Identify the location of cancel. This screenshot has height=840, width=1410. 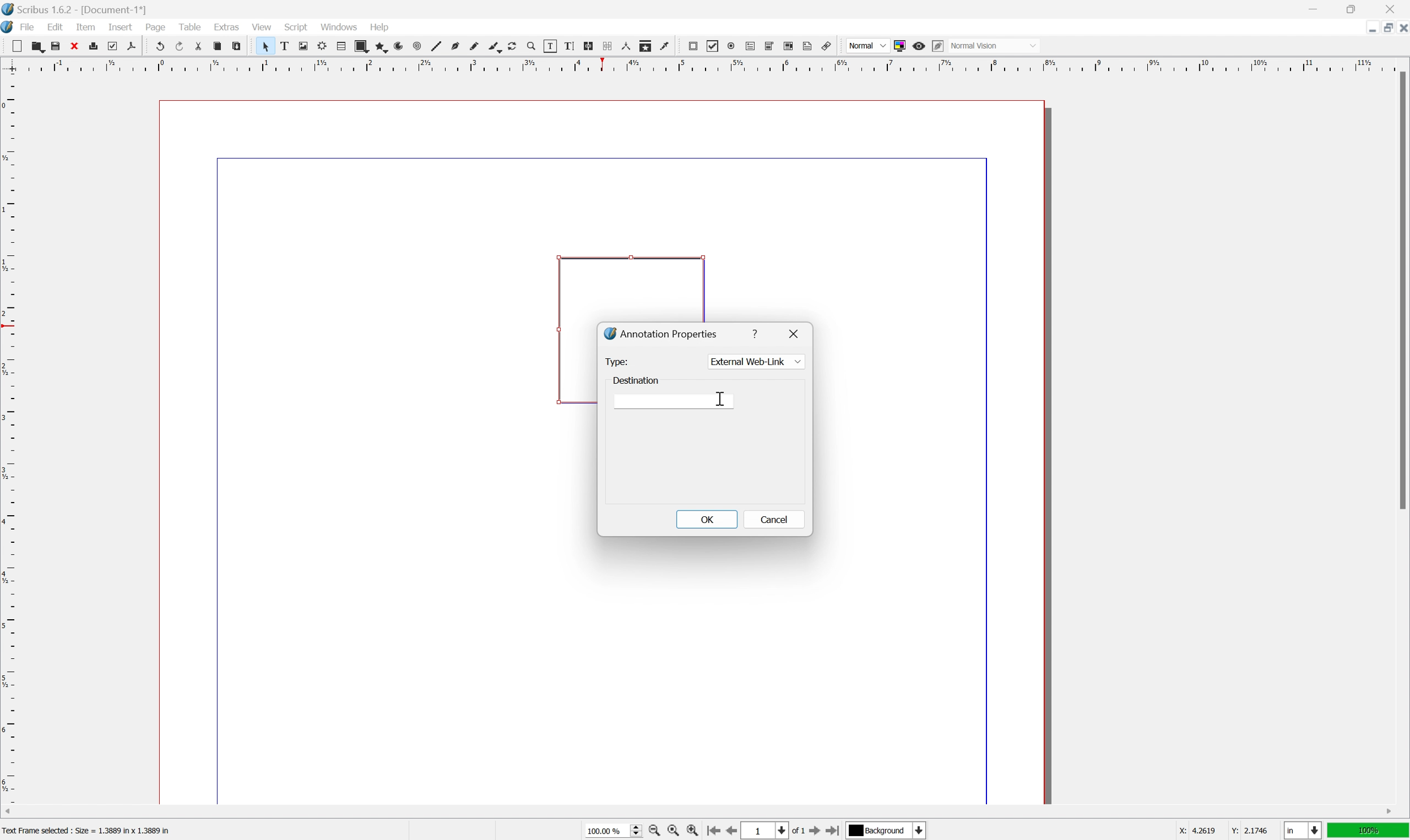
(772, 520).